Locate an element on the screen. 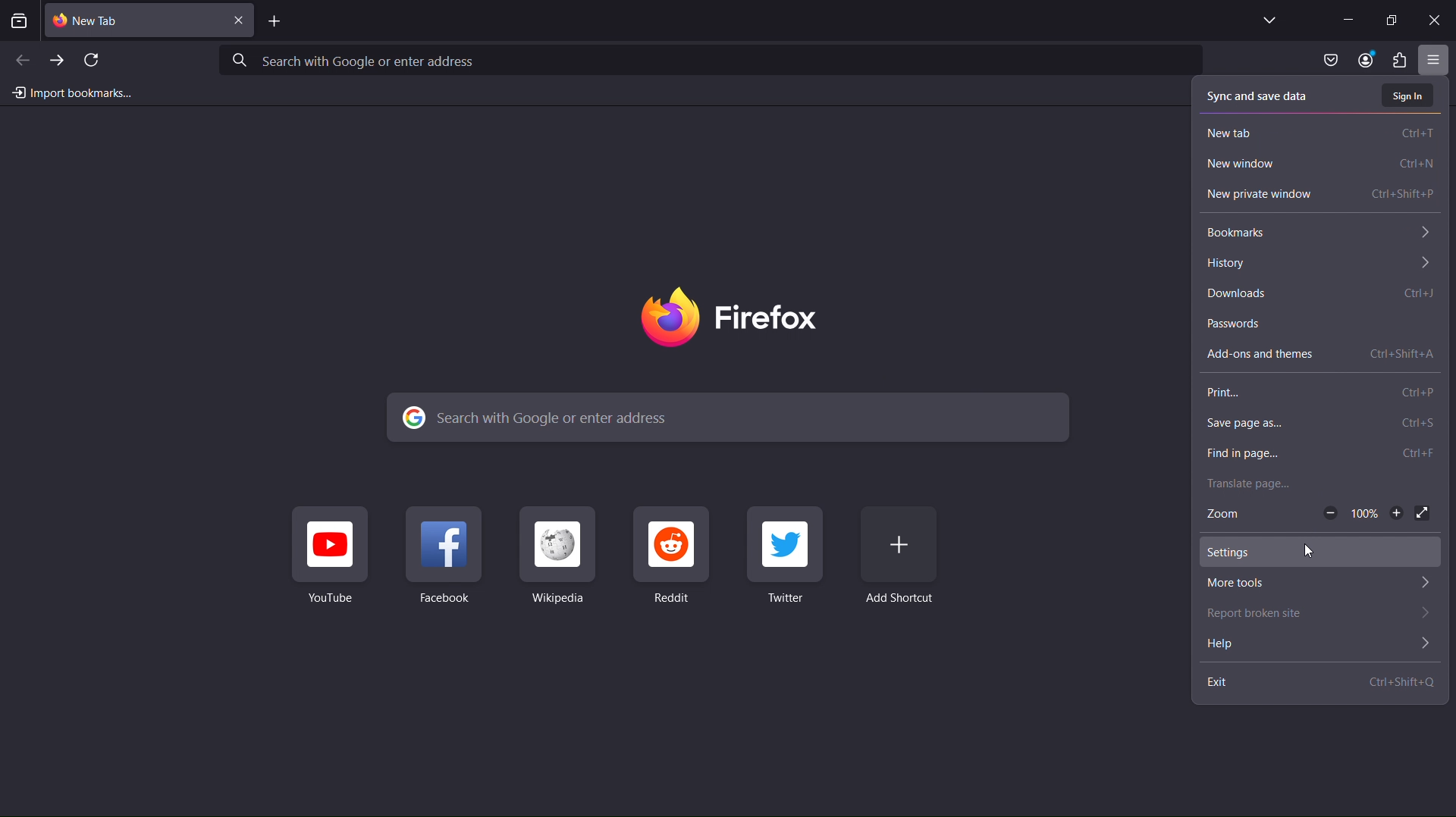 This screenshot has height=817, width=1456. Add Tab is located at coordinates (282, 21).